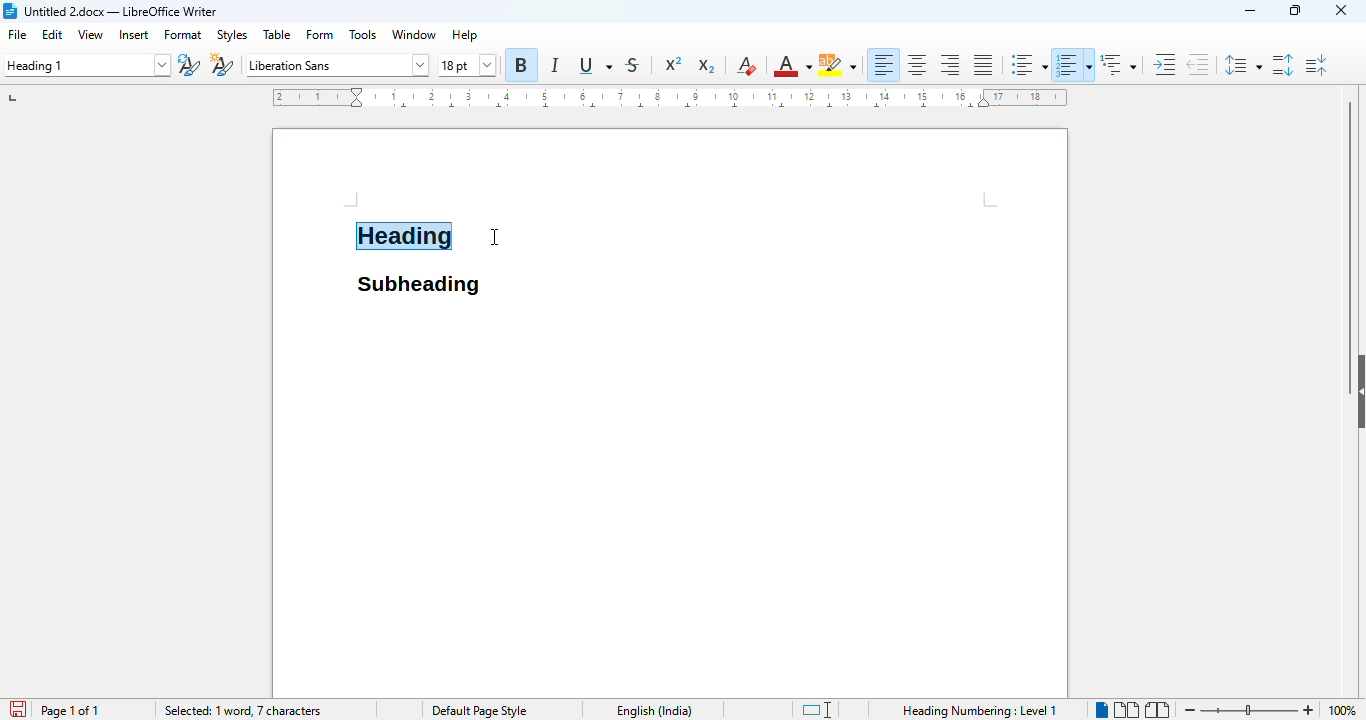  I want to click on align left, so click(883, 64).